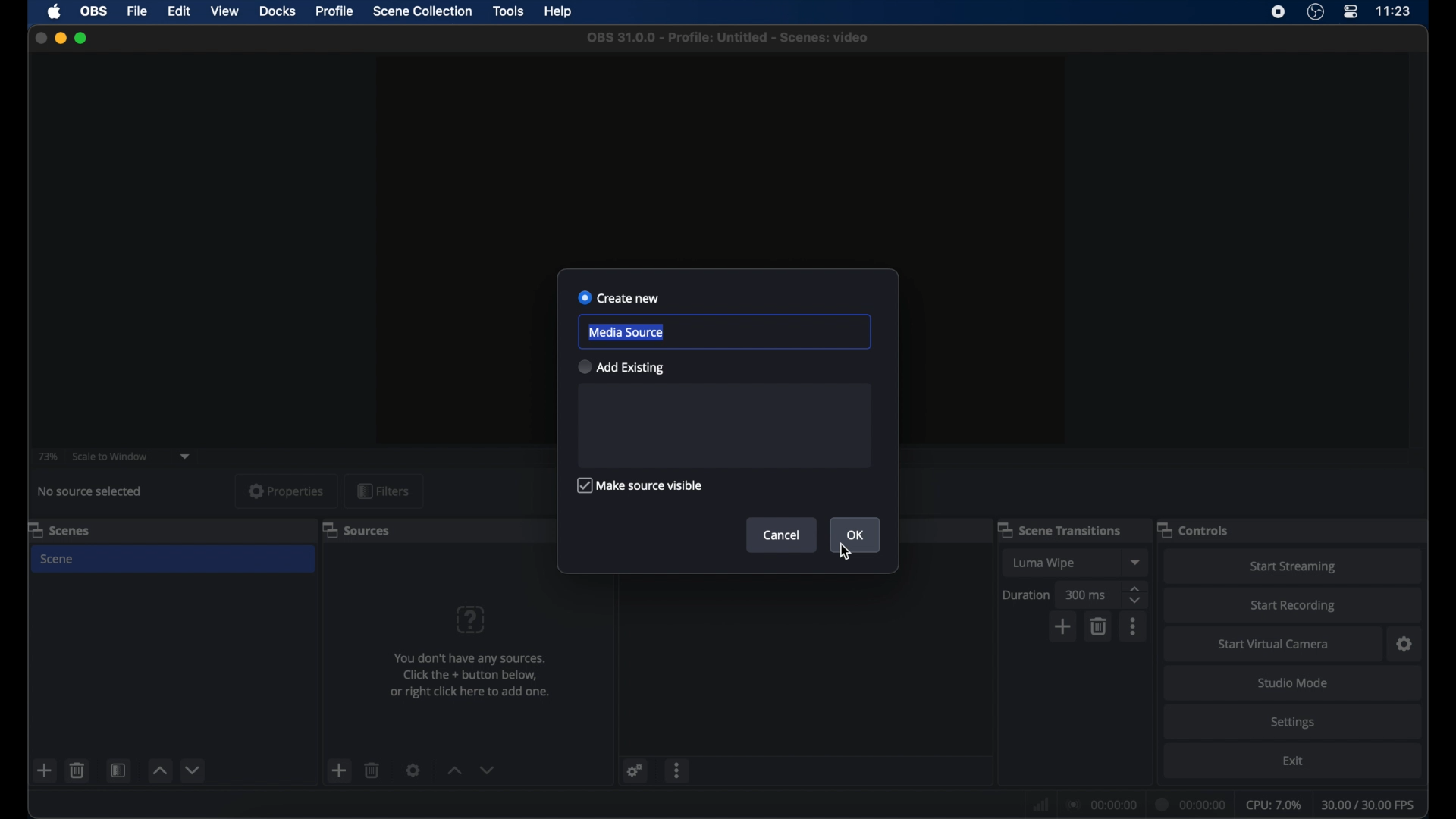 This screenshot has width=1456, height=819. What do you see at coordinates (1394, 10) in the screenshot?
I see `time` at bounding box center [1394, 10].